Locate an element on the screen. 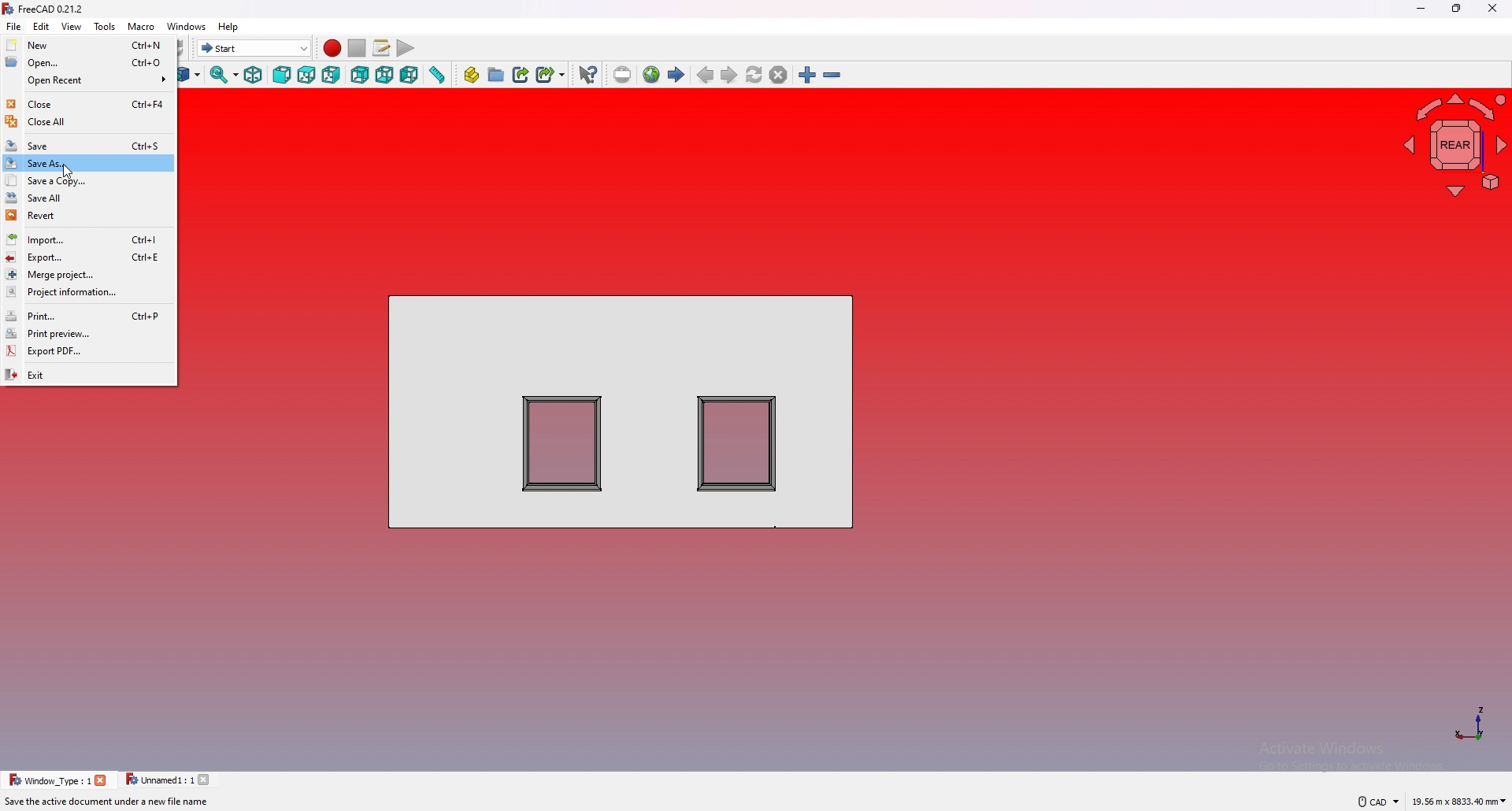 This screenshot has width=1512, height=811. what's this is located at coordinates (587, 76).